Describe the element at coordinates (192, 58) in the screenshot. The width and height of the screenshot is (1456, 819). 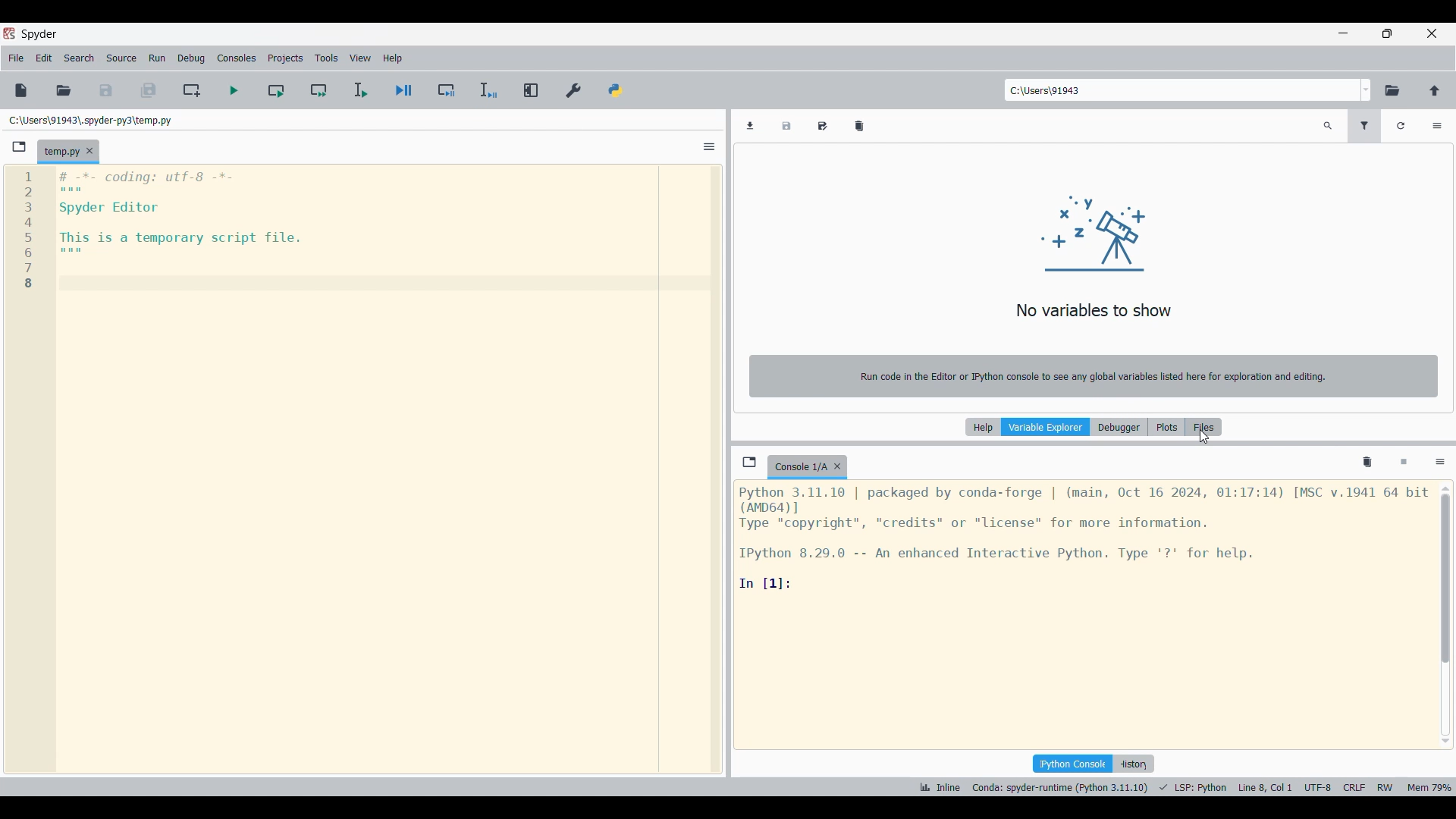
I see `Debug menu` at that location.